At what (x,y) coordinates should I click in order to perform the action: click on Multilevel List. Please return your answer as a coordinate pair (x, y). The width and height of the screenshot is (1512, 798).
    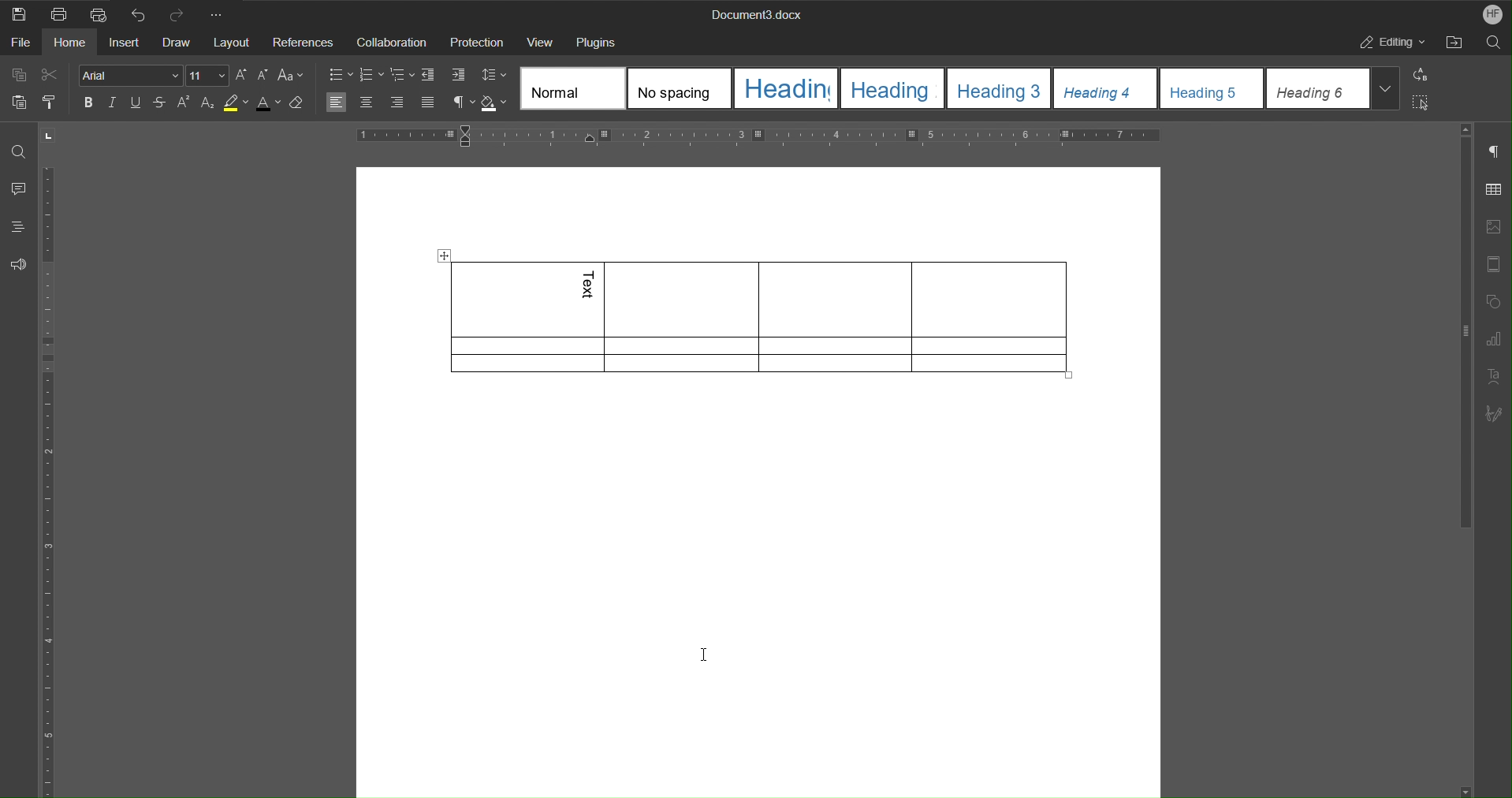
    Looking at the image, I should click on (402, 76).